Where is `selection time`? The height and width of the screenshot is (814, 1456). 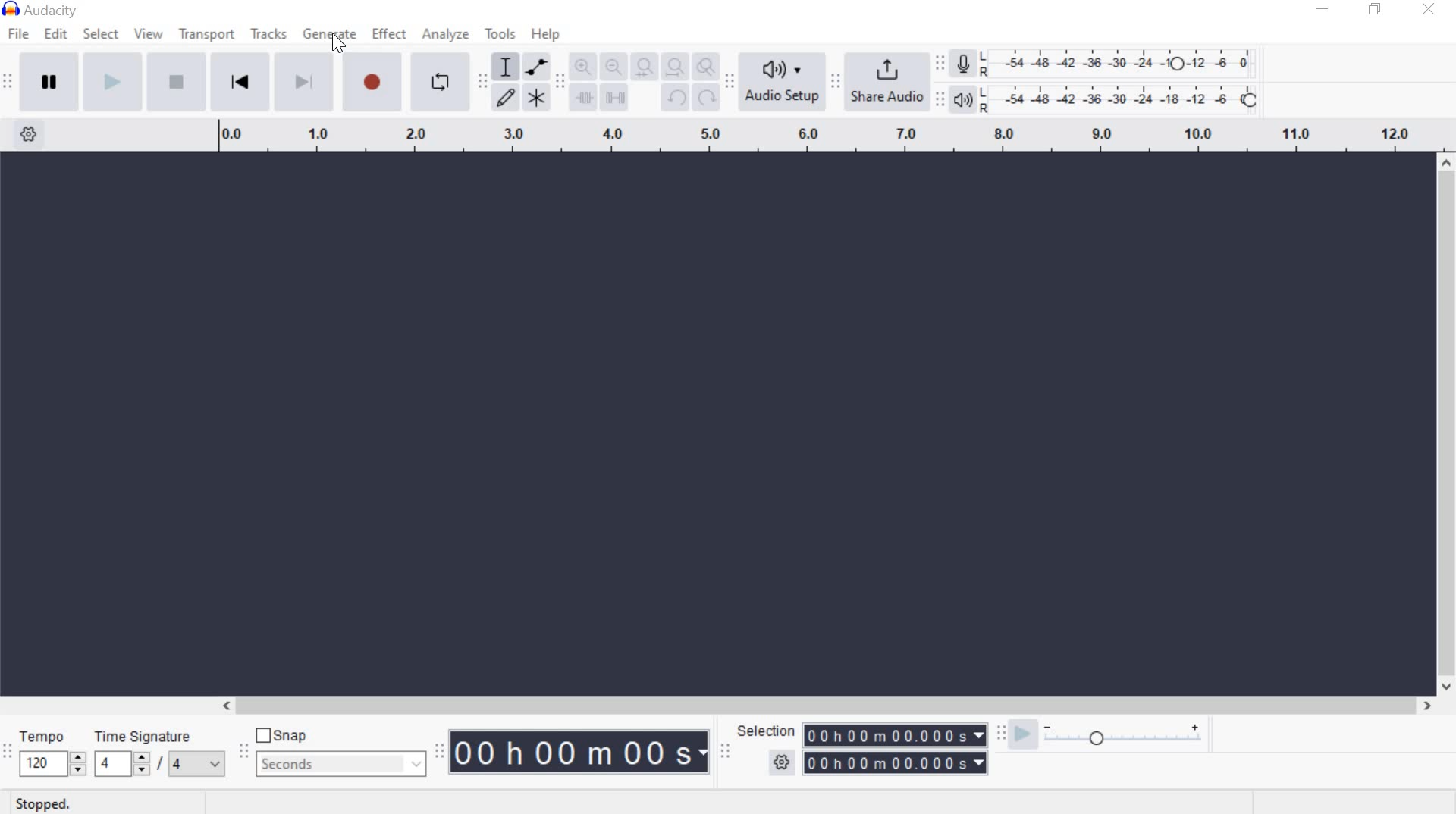 selection time is located at coordinates (896, 748).